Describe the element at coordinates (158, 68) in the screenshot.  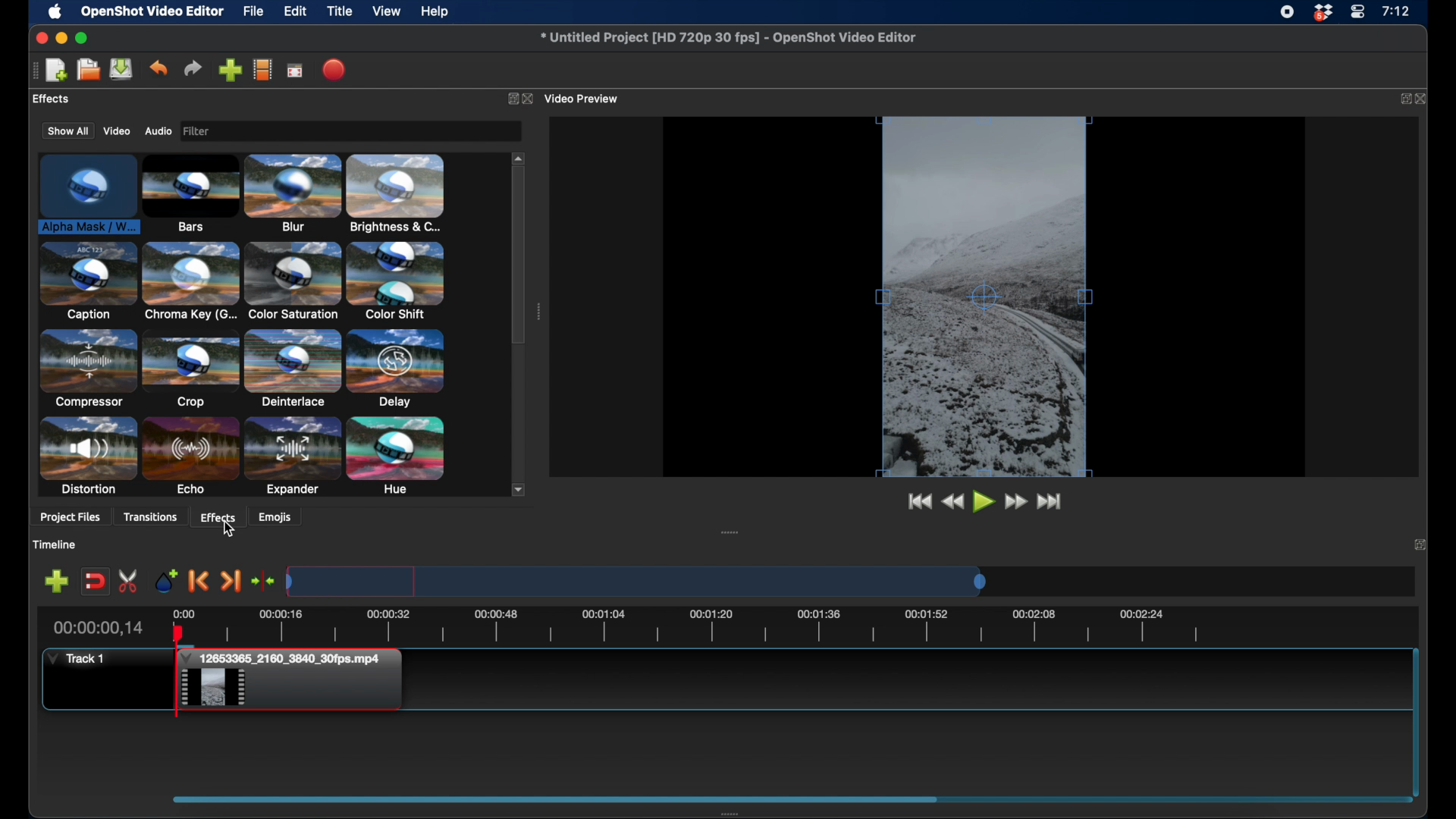
I see `undo` at that location.